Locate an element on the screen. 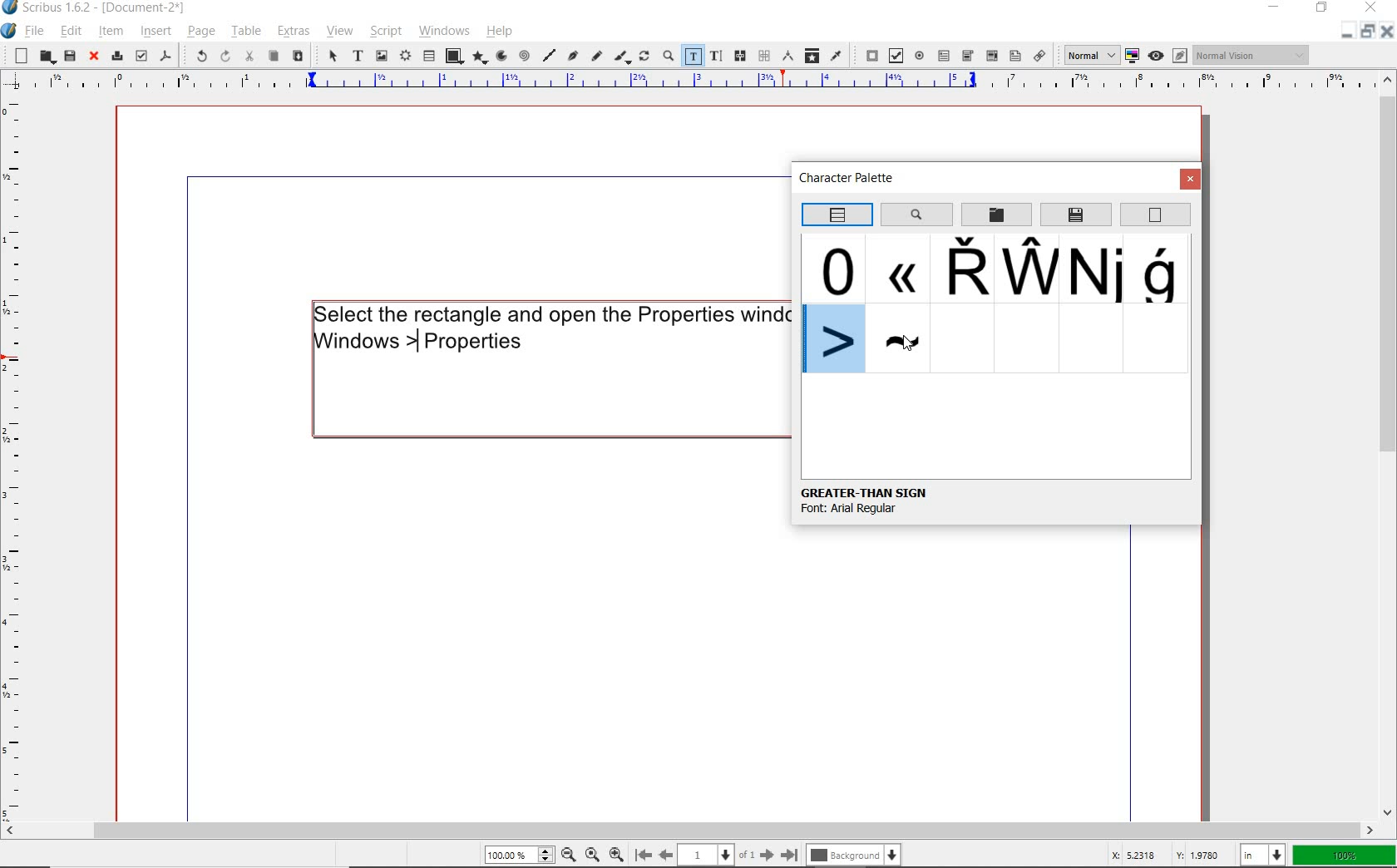 This screenshot has height=868, width=1397. redo is located at coordinates (224, 57).